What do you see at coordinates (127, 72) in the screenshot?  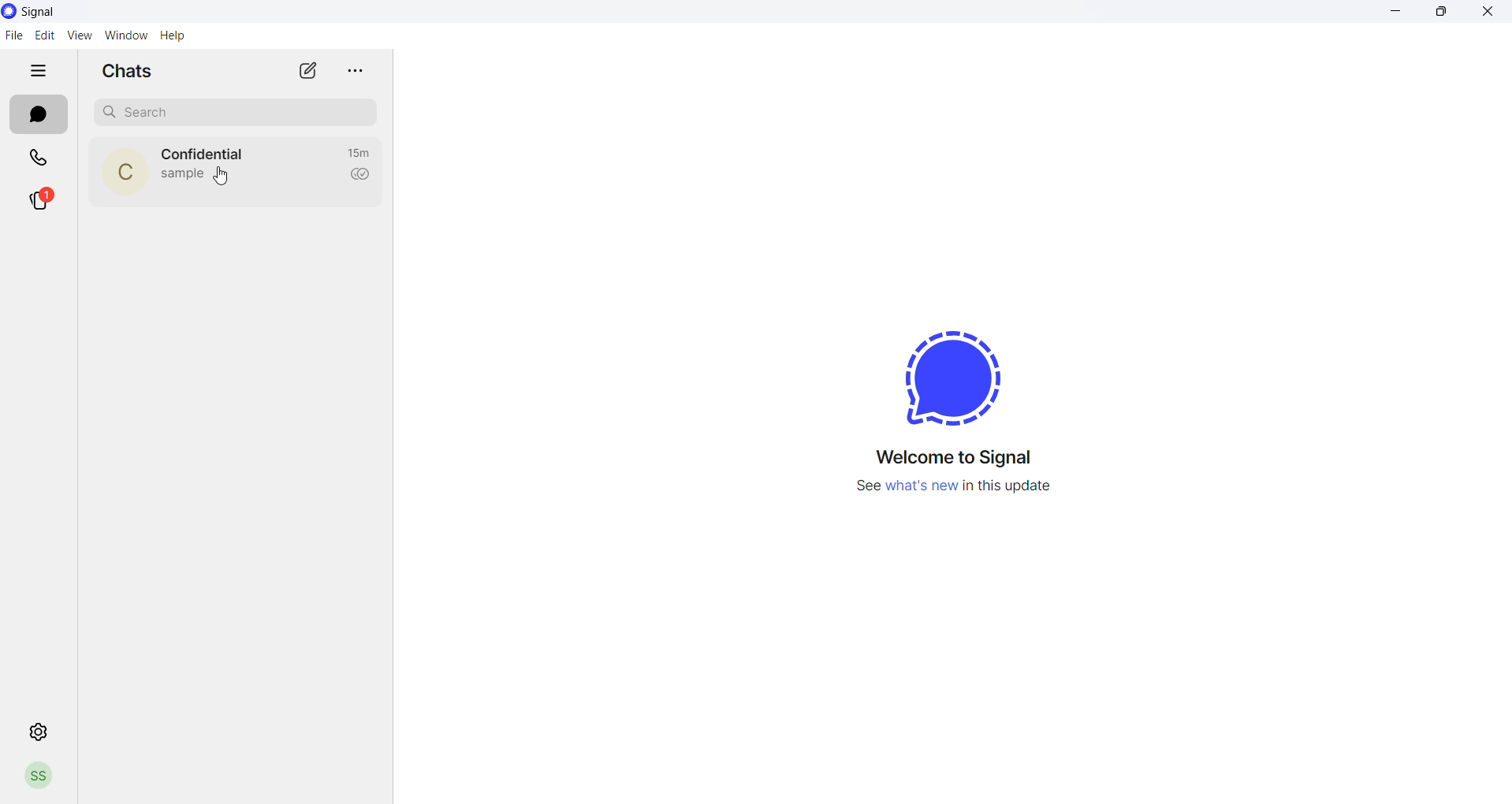 I see `chats ` at bounding box center [127, 72].